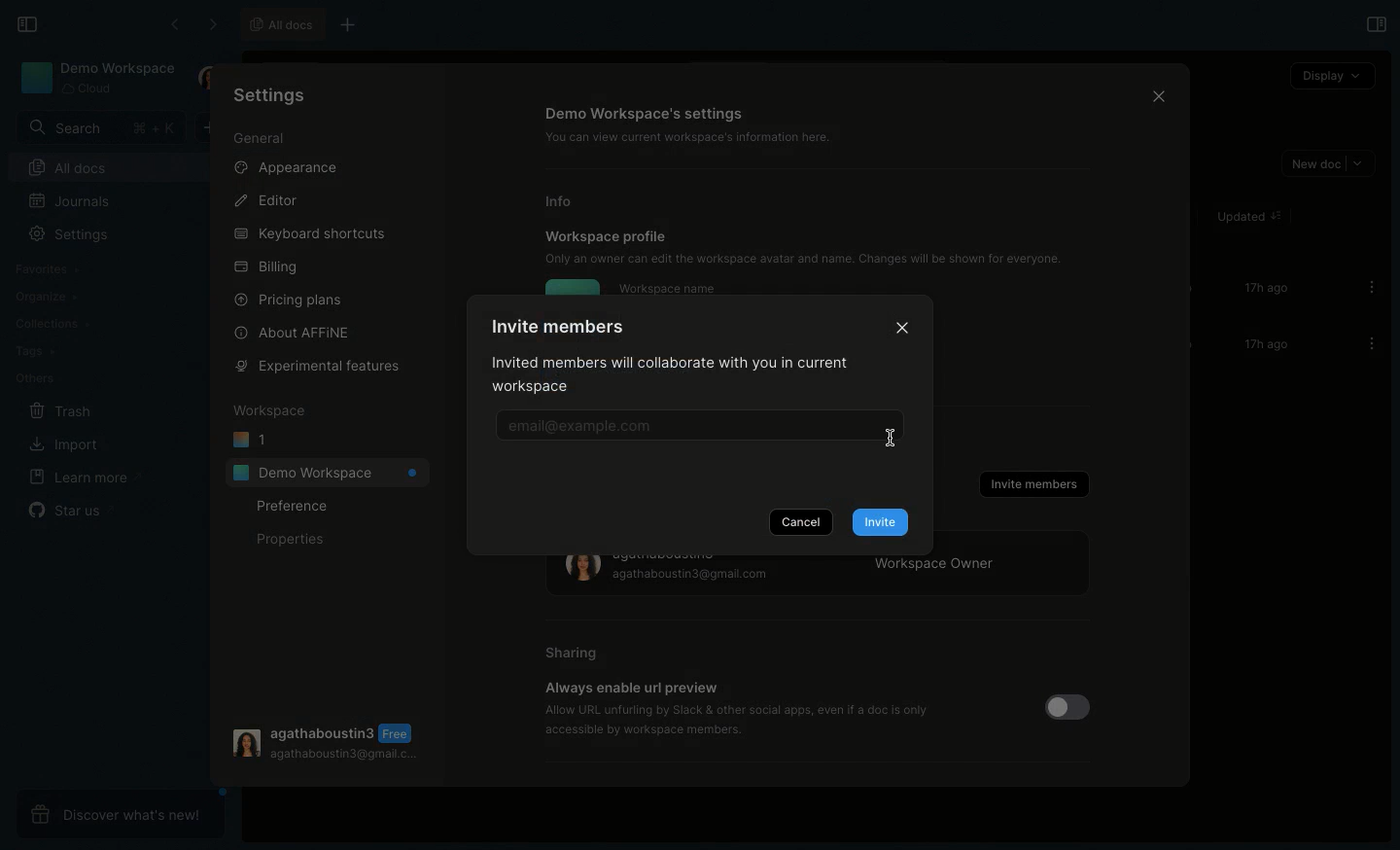 The width and height of the screenshot is (1400, 850). Describe the element at coordinates (1366, 287) in the screenshot. I see `Options` at that location.